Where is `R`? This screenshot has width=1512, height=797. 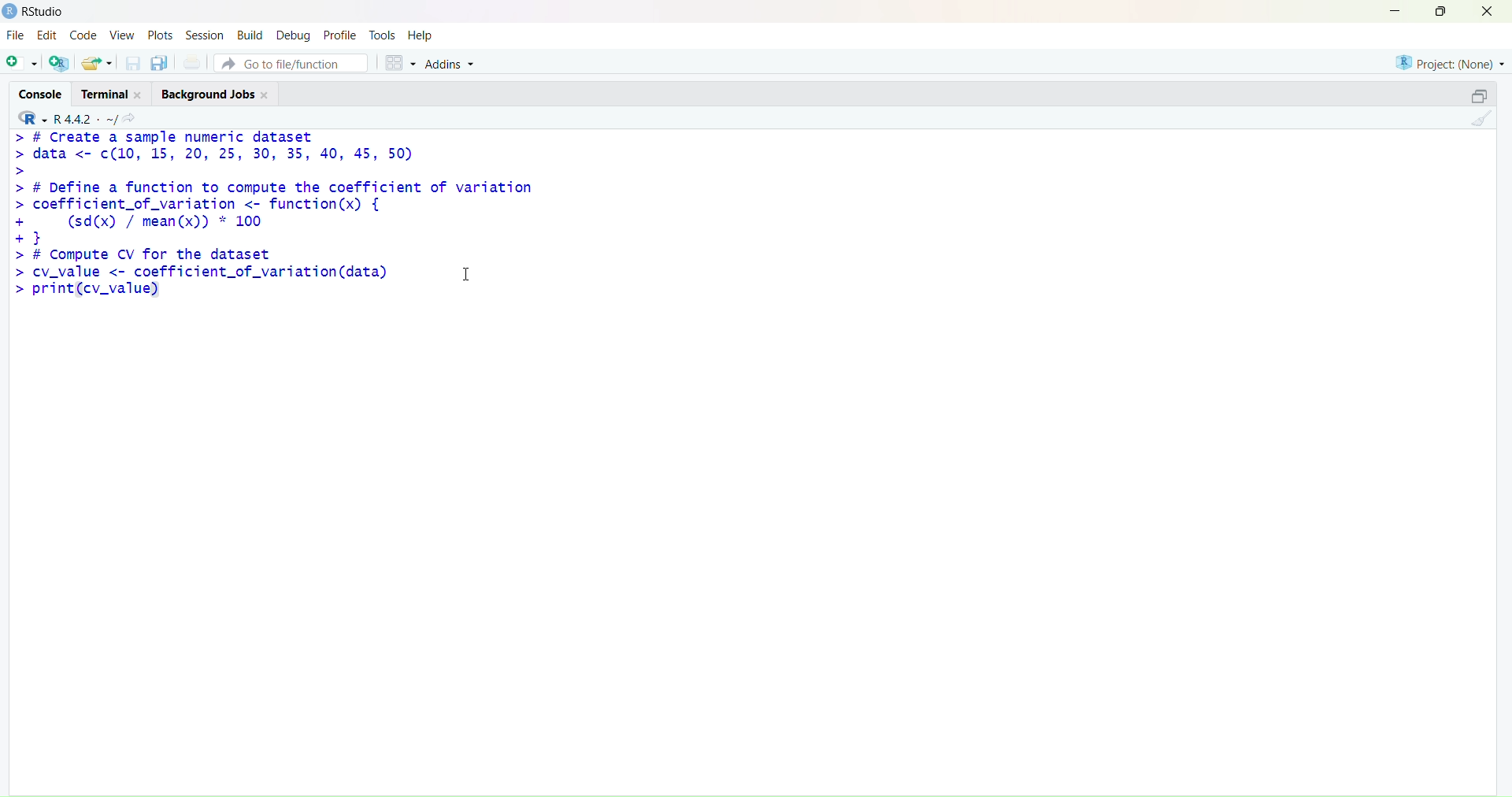
R is located at coordinates (33, 117).